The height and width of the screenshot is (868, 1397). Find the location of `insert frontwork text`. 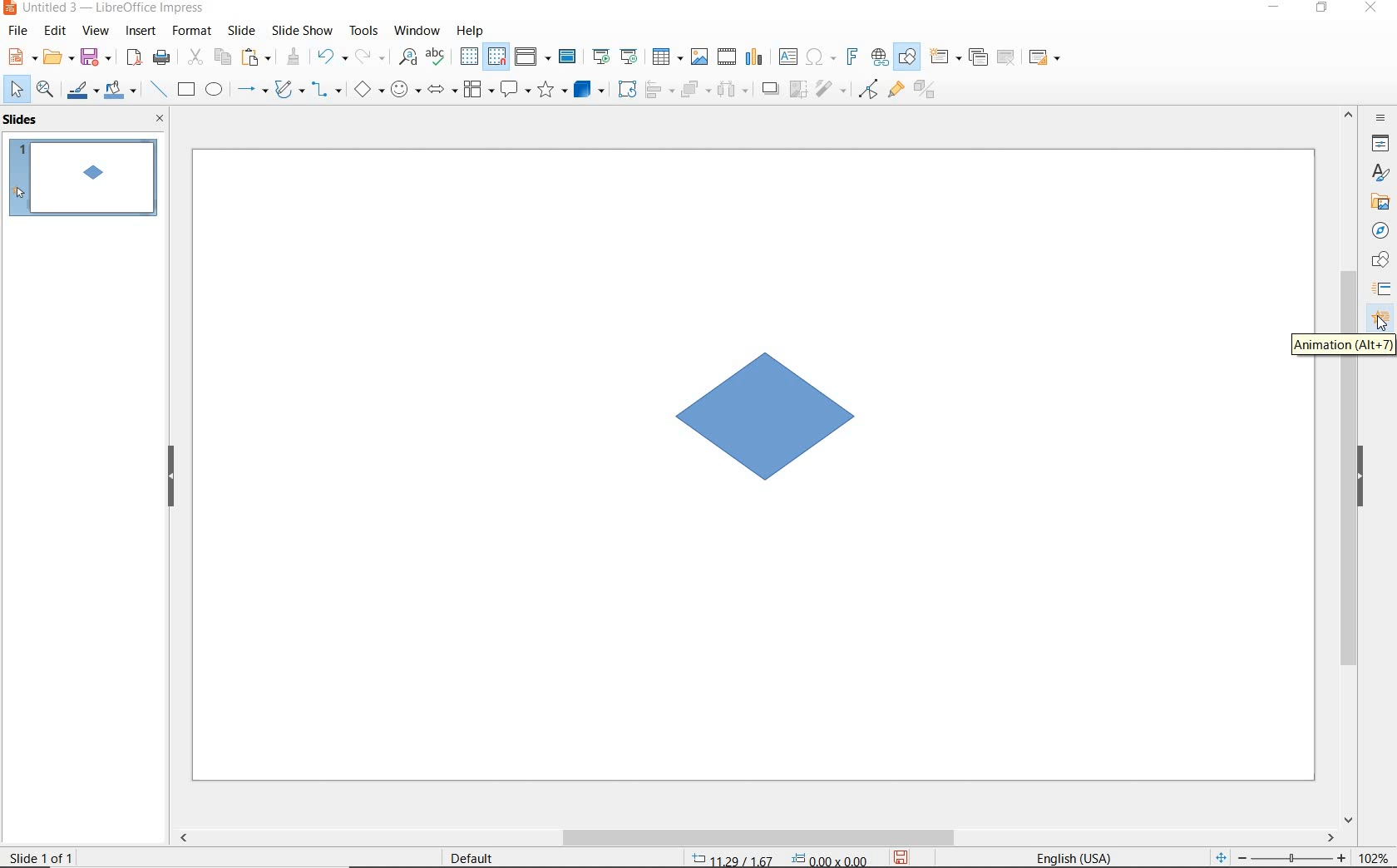

insert frontwork text is located at coordinates (852, 57).